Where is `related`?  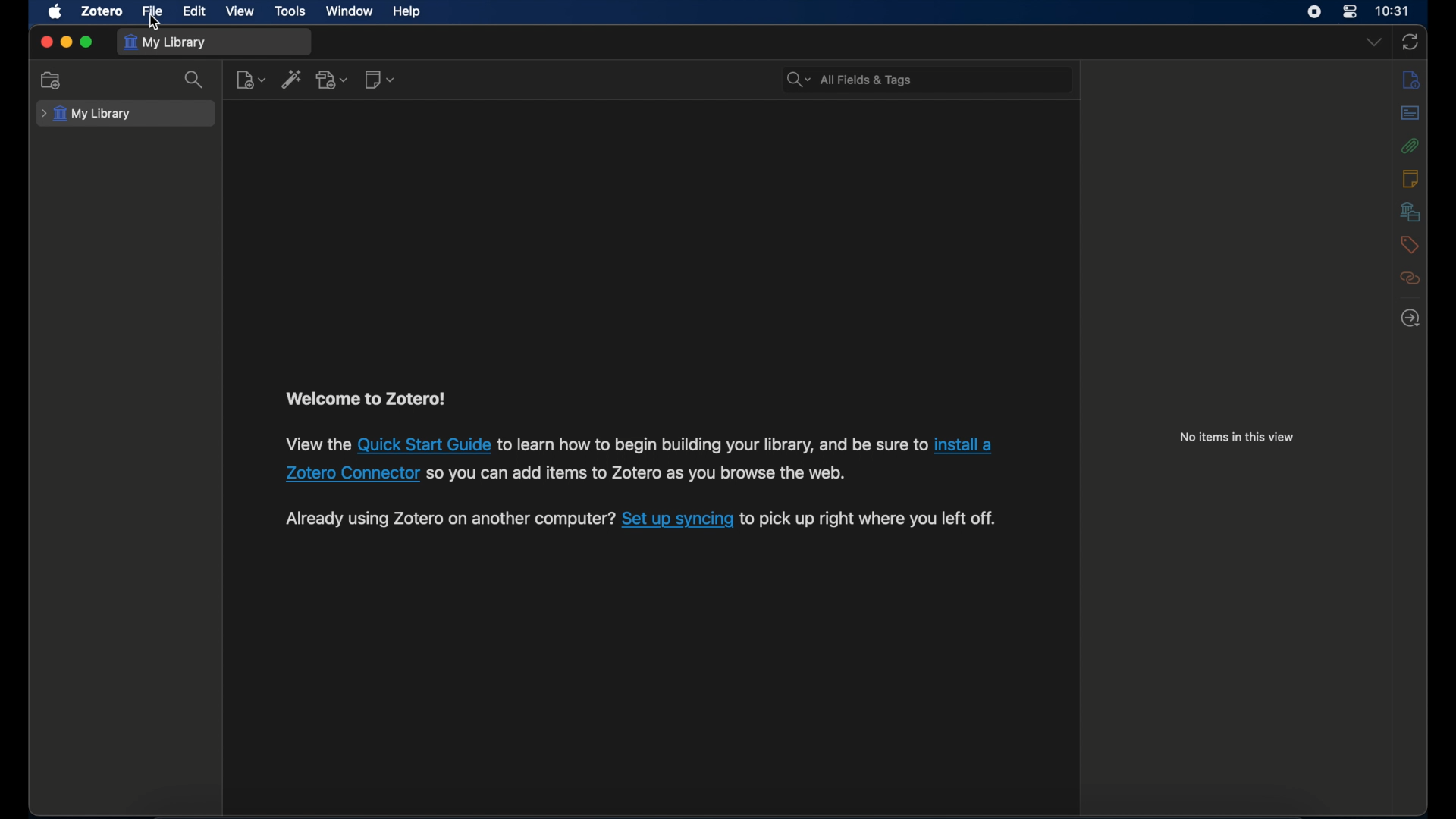 related is located at coordinates (1410, 278).